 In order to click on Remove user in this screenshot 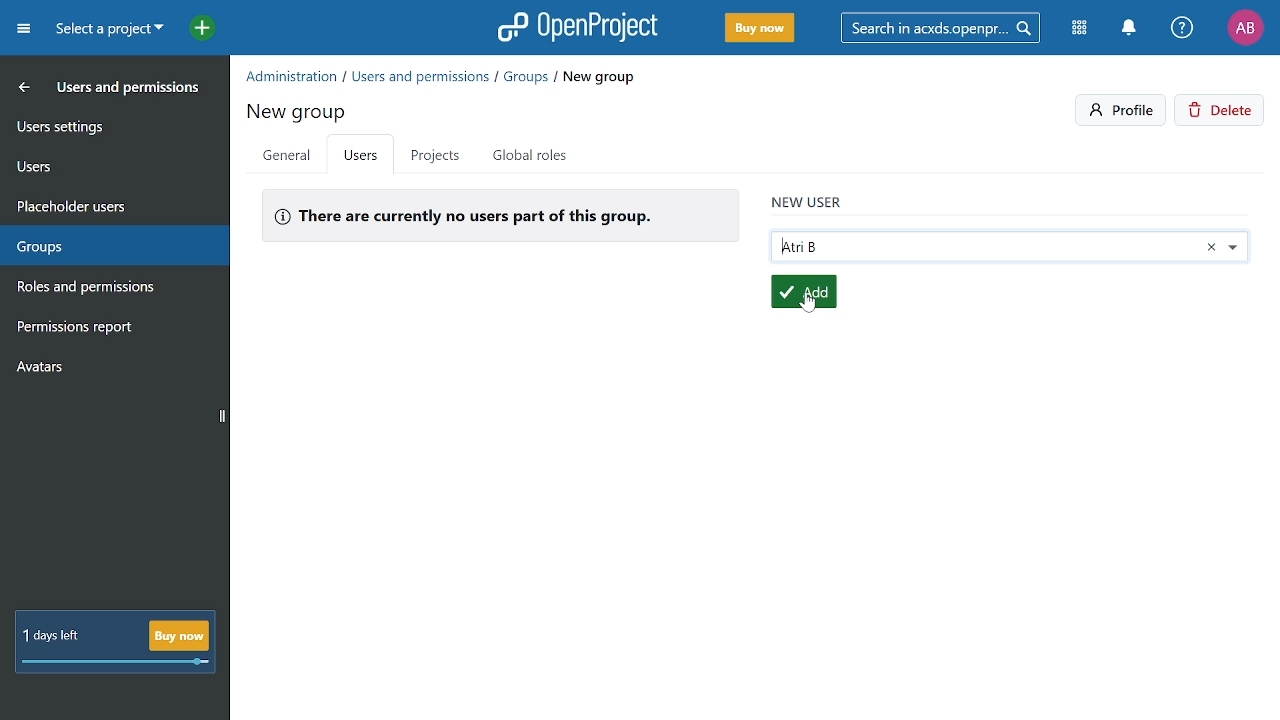, I will do `click(1211, 247)`.